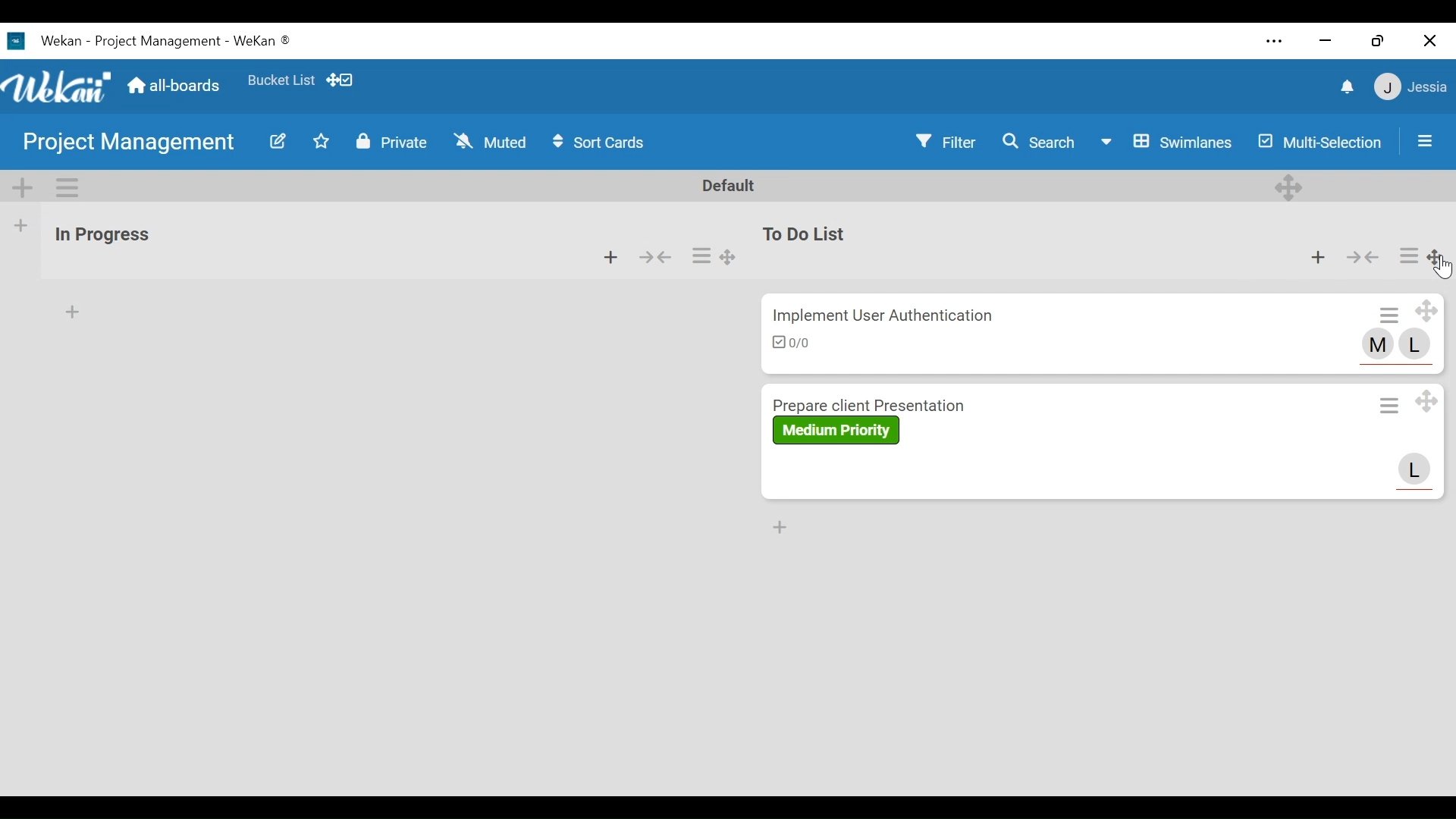  Describe the element at coordinates (1425, 402) in the screenshot. I see `Drag Card` at that location.